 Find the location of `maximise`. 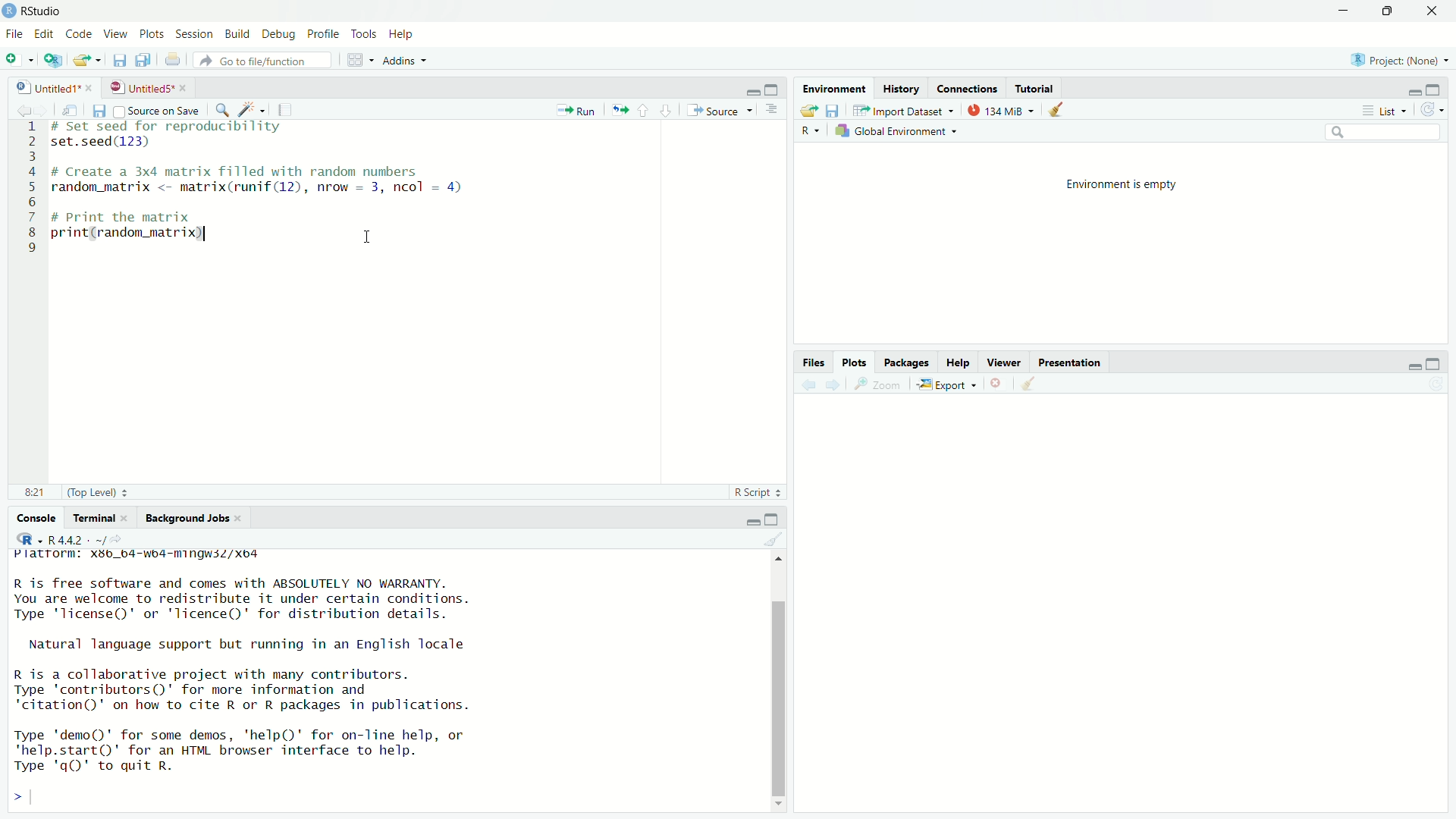

maximise is located at coordinates (1439, 364).